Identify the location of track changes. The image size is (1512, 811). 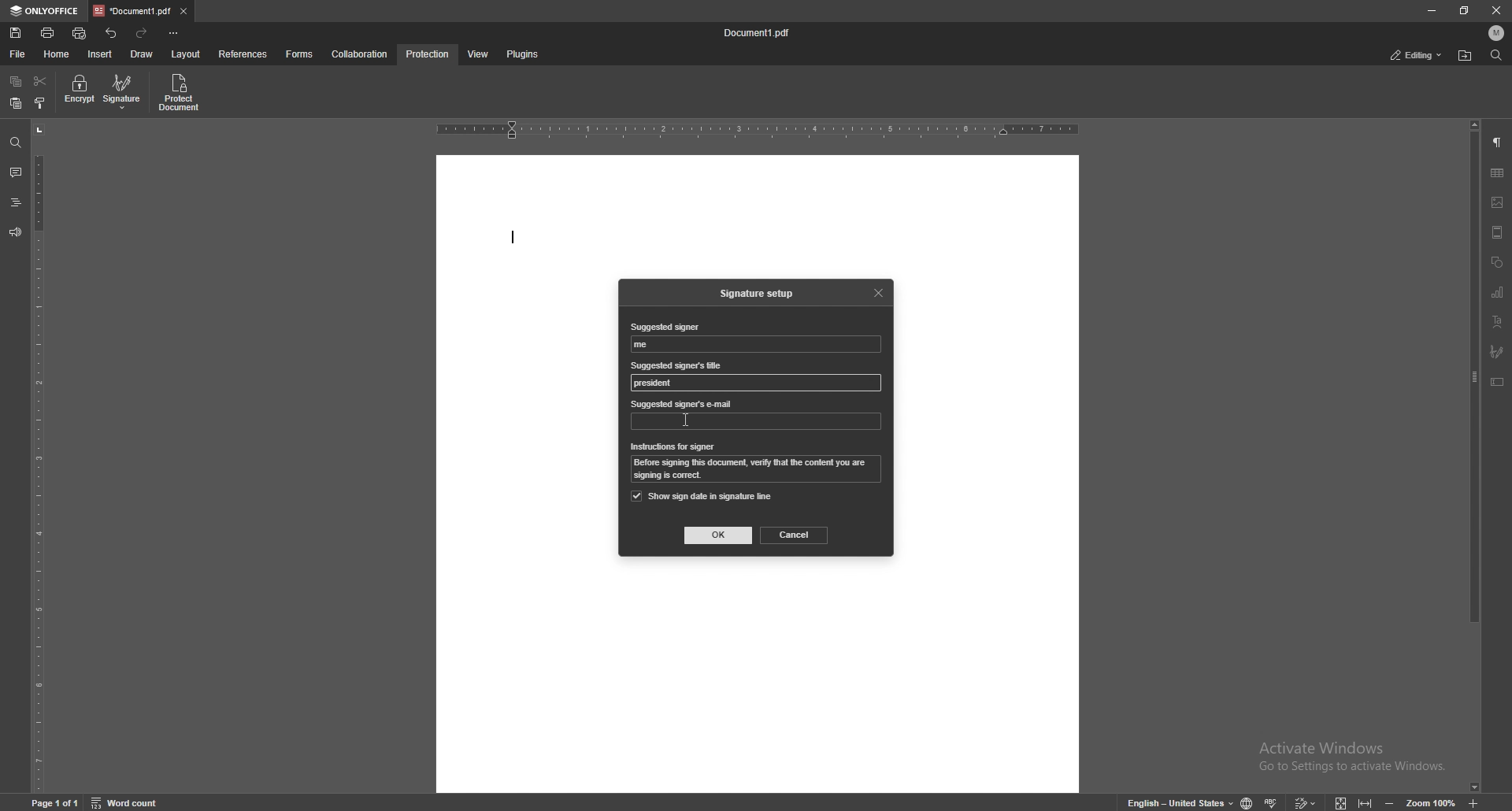
(1303, 801).